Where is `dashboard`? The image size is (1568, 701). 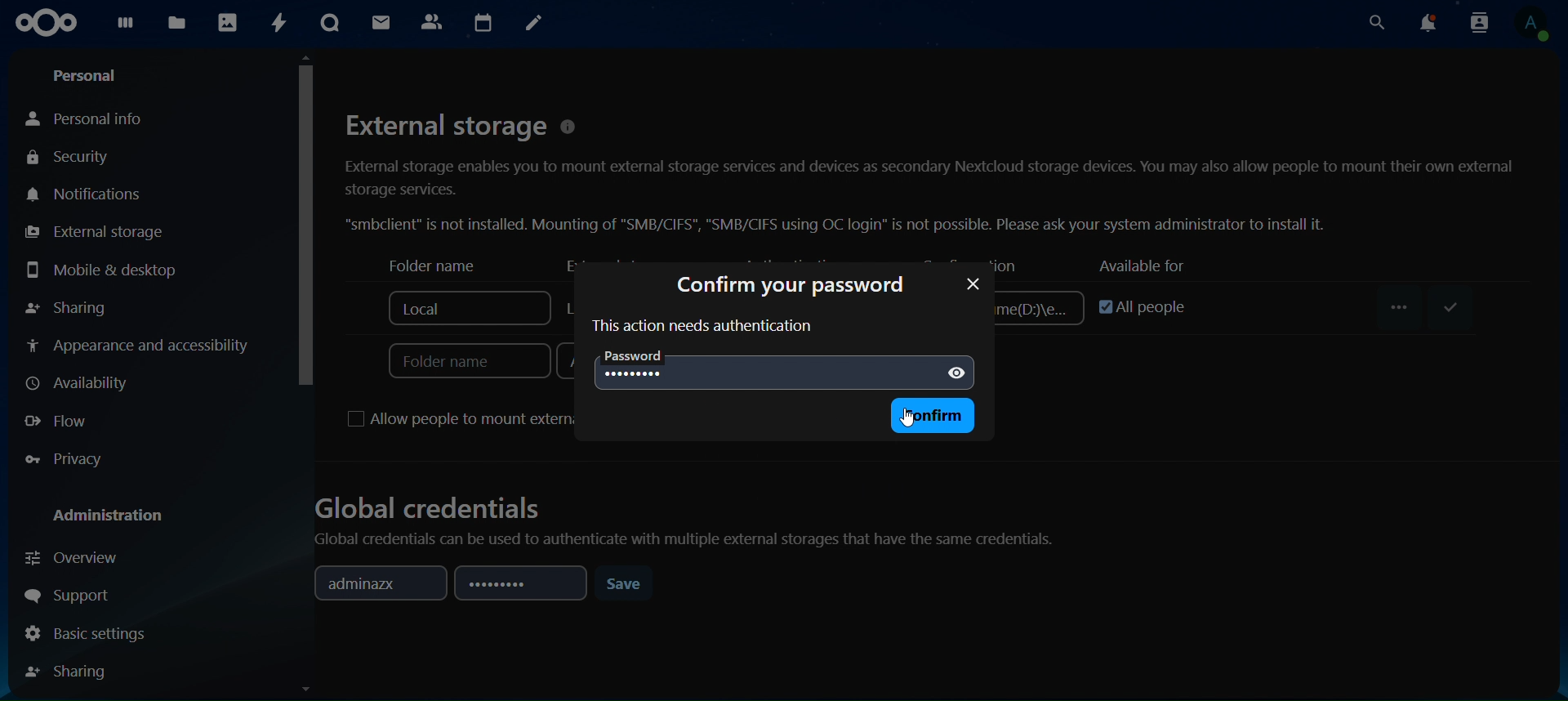 dashboard is located at coordinates (127, 26).